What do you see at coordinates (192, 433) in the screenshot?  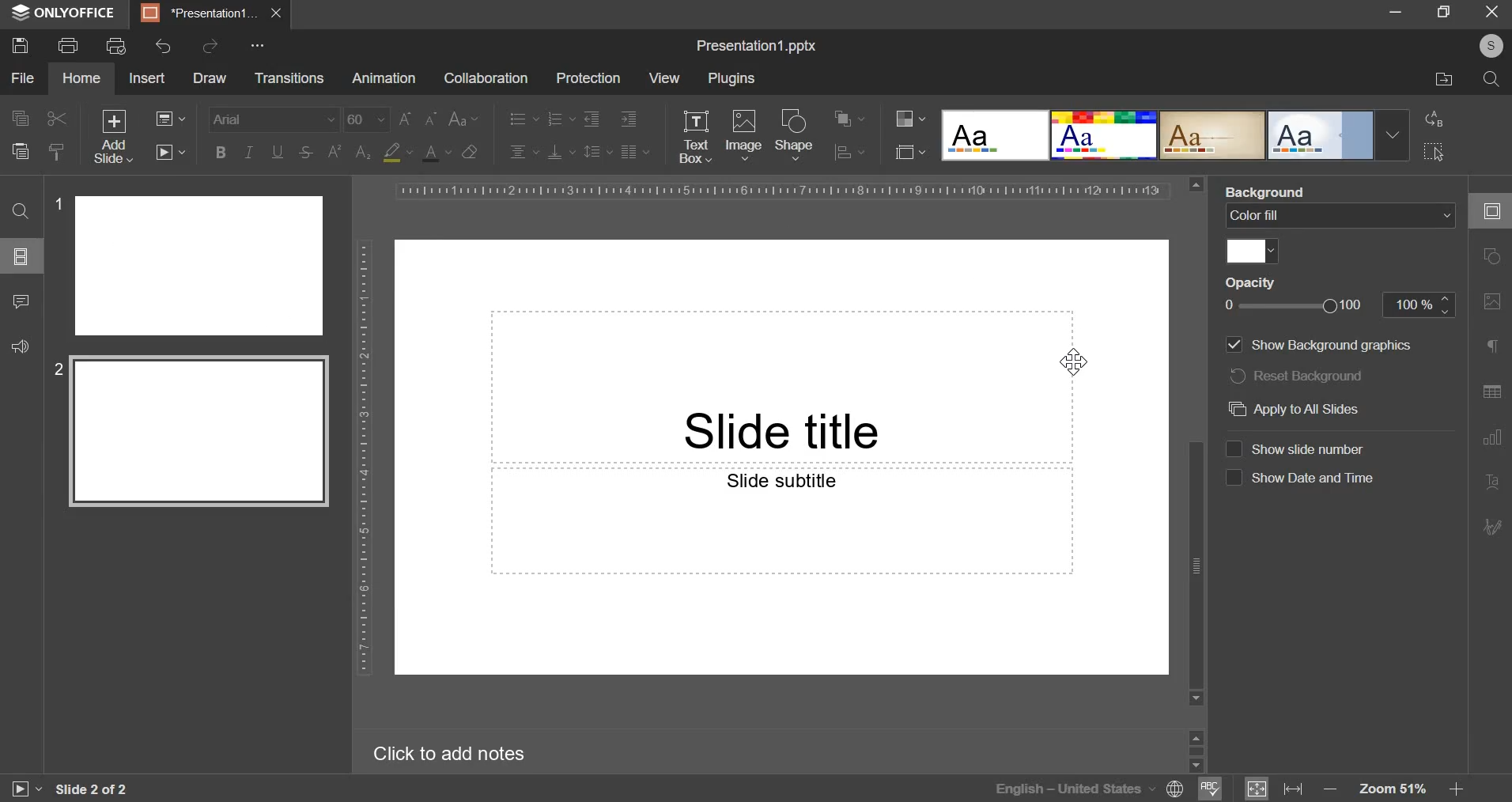 I see `slide 2` at bounding box center [192, 433].